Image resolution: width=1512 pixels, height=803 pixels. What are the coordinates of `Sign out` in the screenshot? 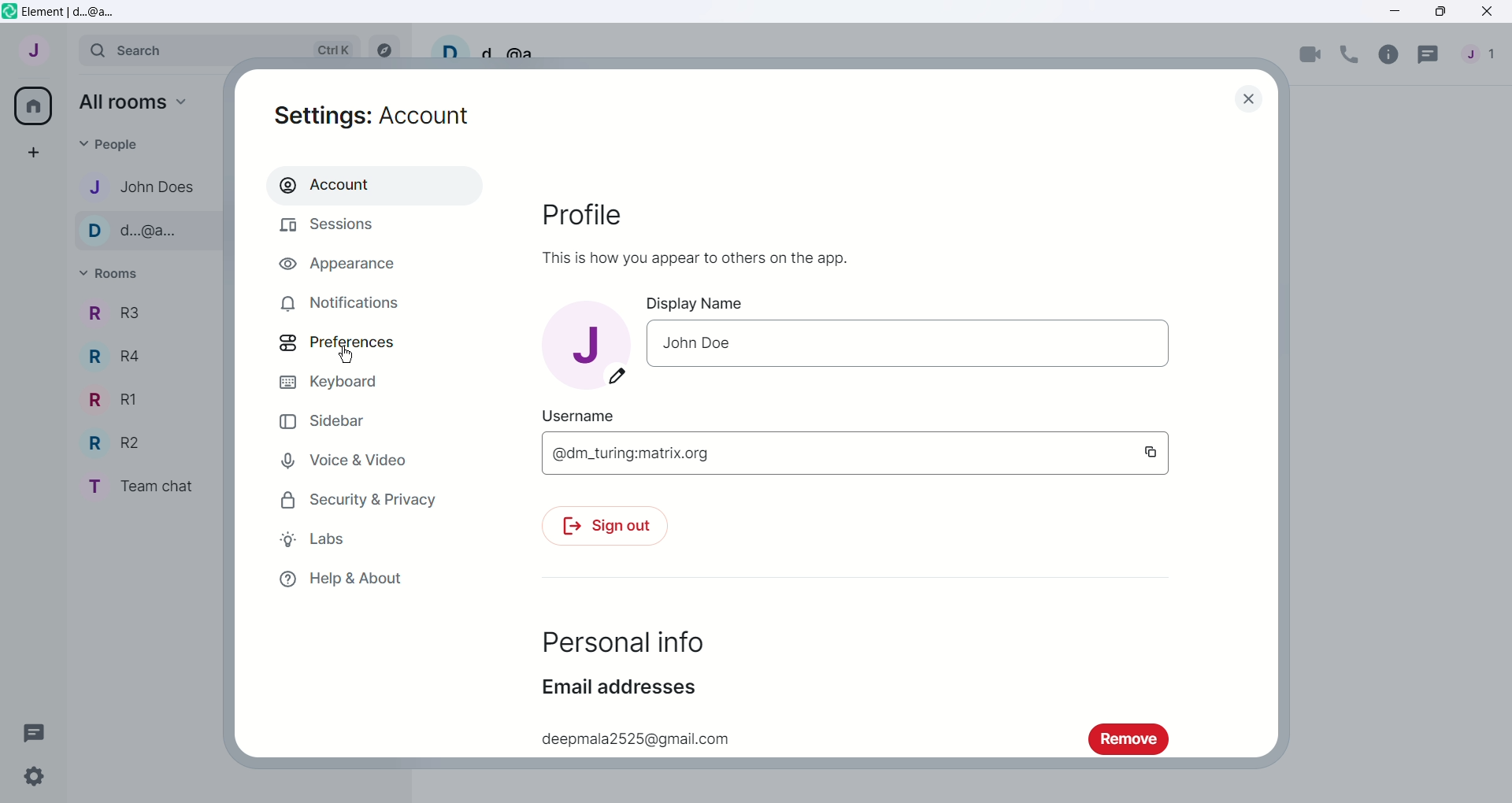 It's located at (605, 526).